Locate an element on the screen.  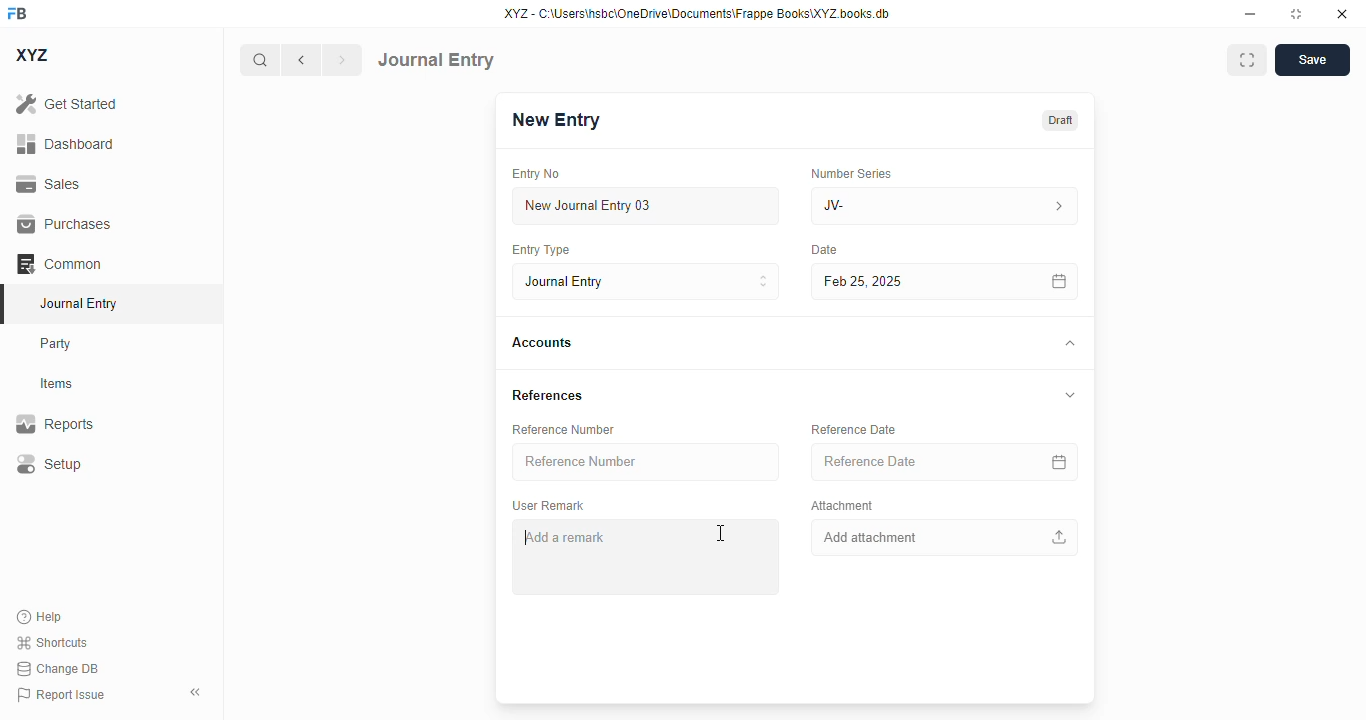
save is located at coordinates (1313, 60).